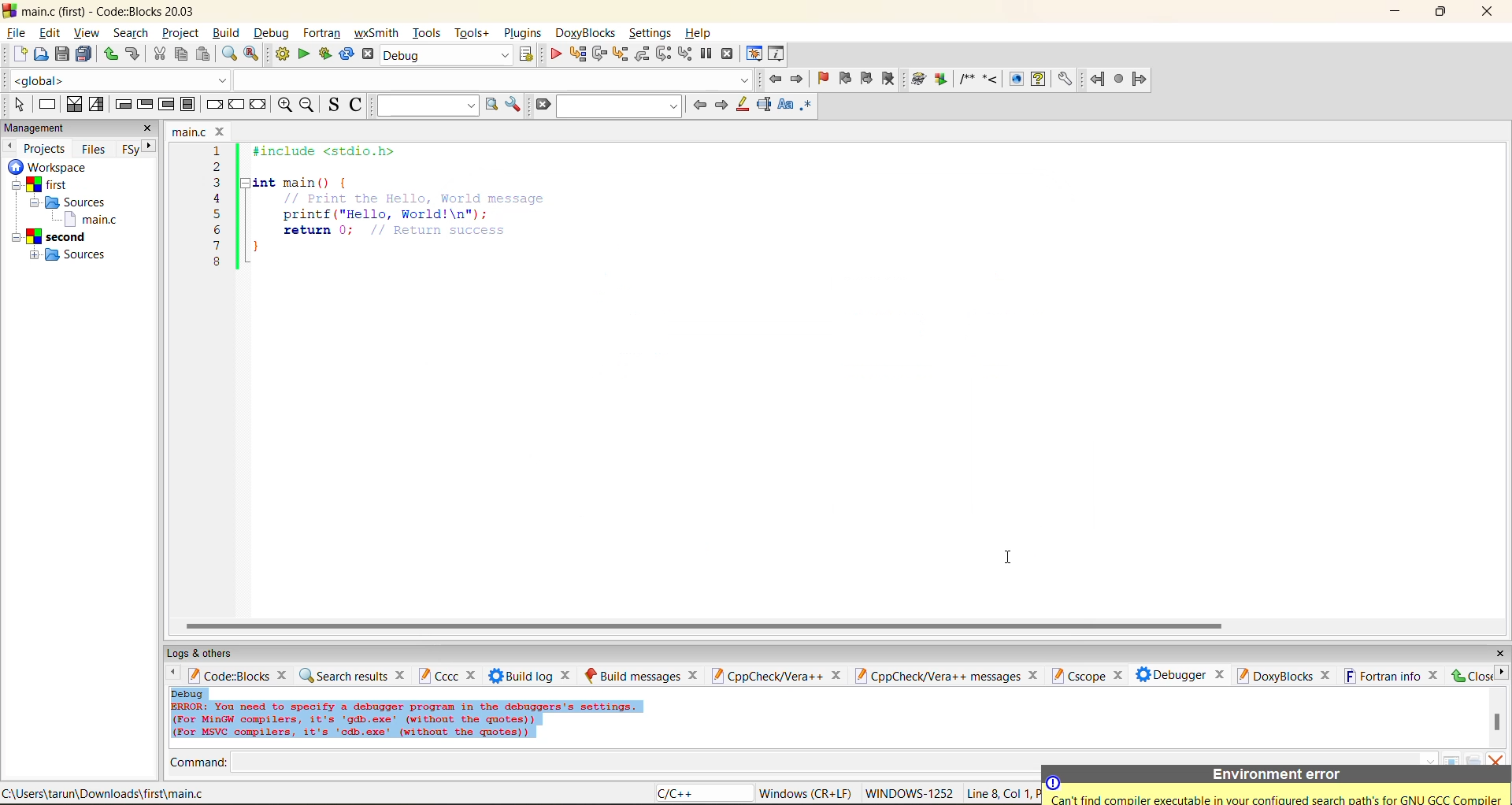 Image resolution: width=1512 pixels, height=805 pixels. I want to click on selected text, so click(764, 105).